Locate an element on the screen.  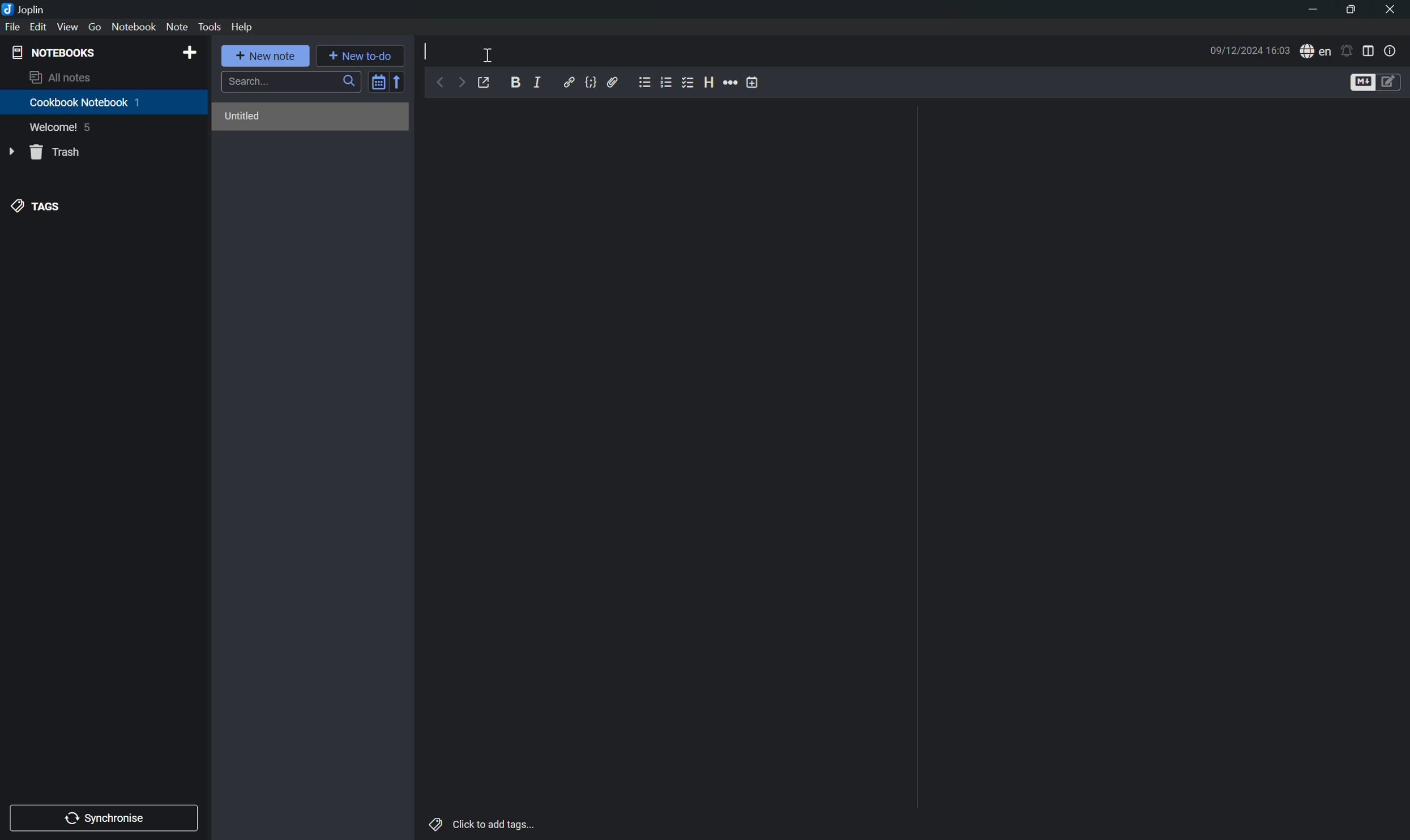
Checkbox List is located at coordinates (689, 84).